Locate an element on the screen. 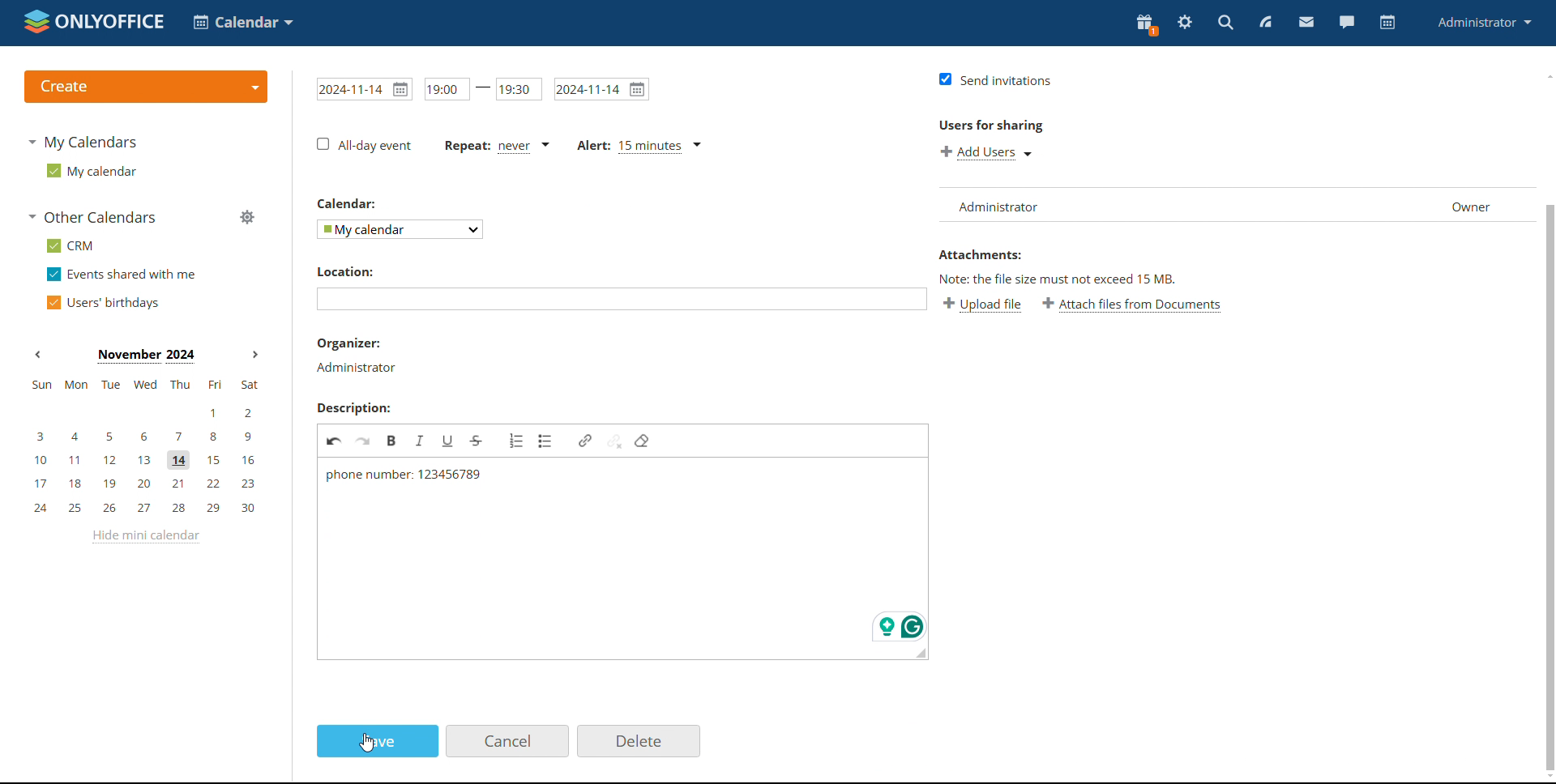  link is located at coordinates (583, 442).